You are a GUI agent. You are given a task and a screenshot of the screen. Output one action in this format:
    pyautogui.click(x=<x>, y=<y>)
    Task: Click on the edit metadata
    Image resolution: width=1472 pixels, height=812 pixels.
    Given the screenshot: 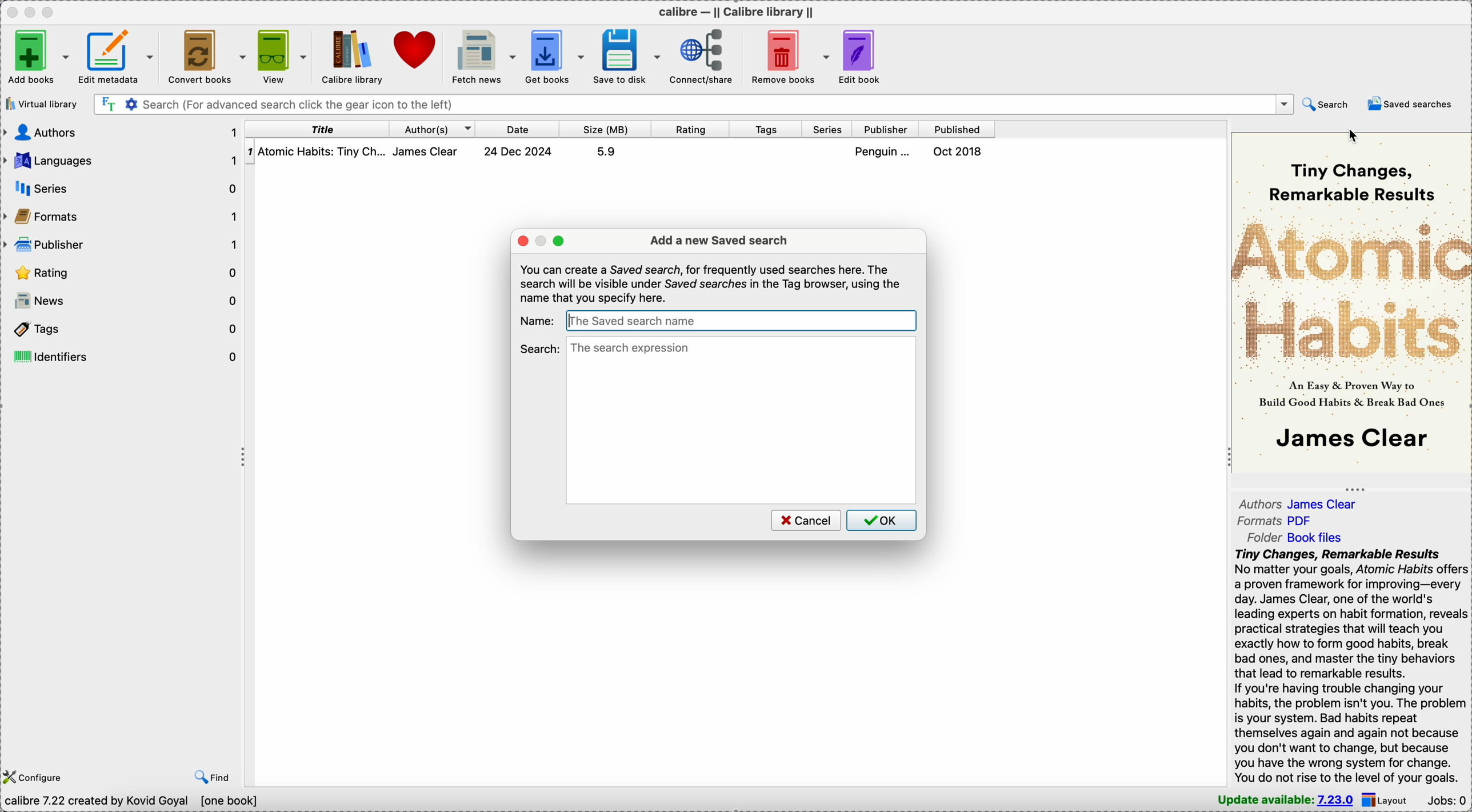 What is the action you would take?
    pyautogui.click(x=118, y=54)
    